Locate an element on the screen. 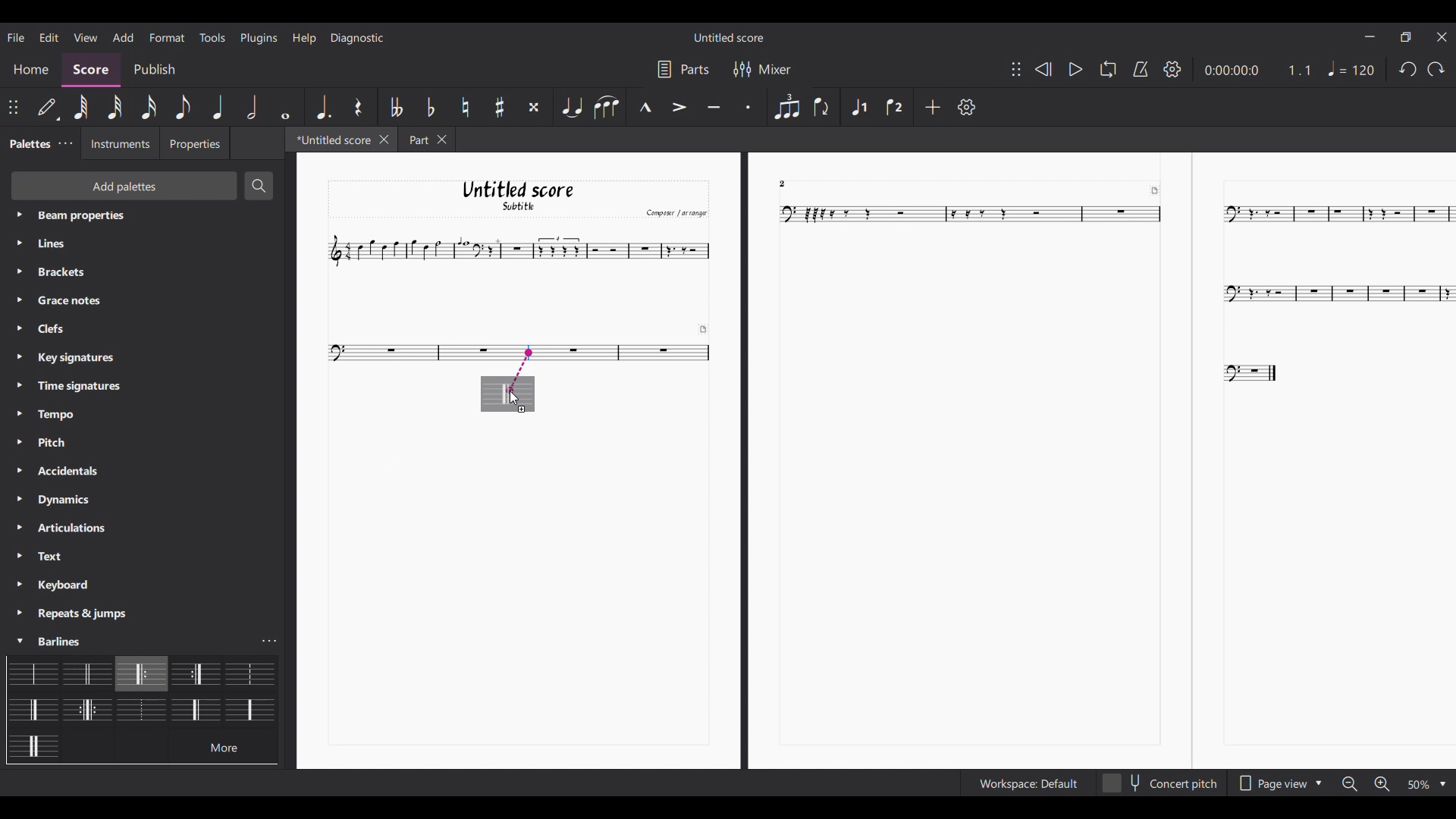 Image resolution: width=1456 pixels, height=819 pixels. Play is located at coordinates (1075, 69).